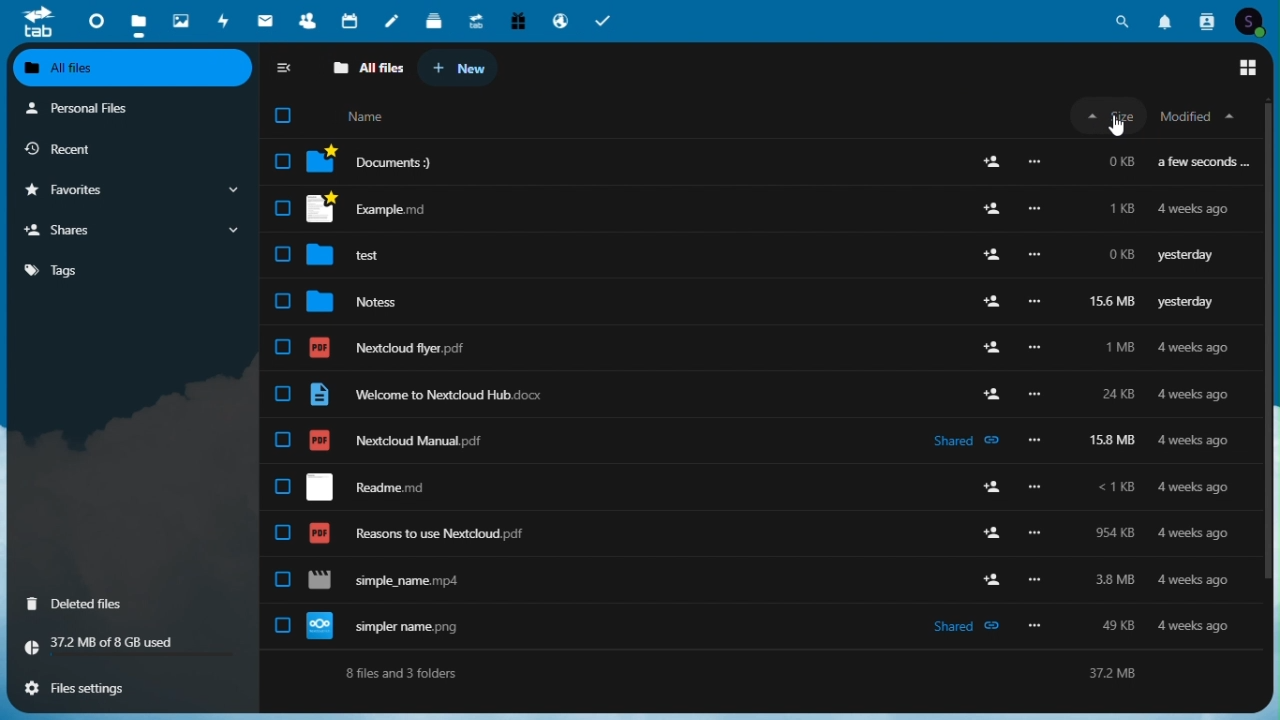  Describe the element at coordinates (371, 115) in the screenshot. I see `name` at that location.